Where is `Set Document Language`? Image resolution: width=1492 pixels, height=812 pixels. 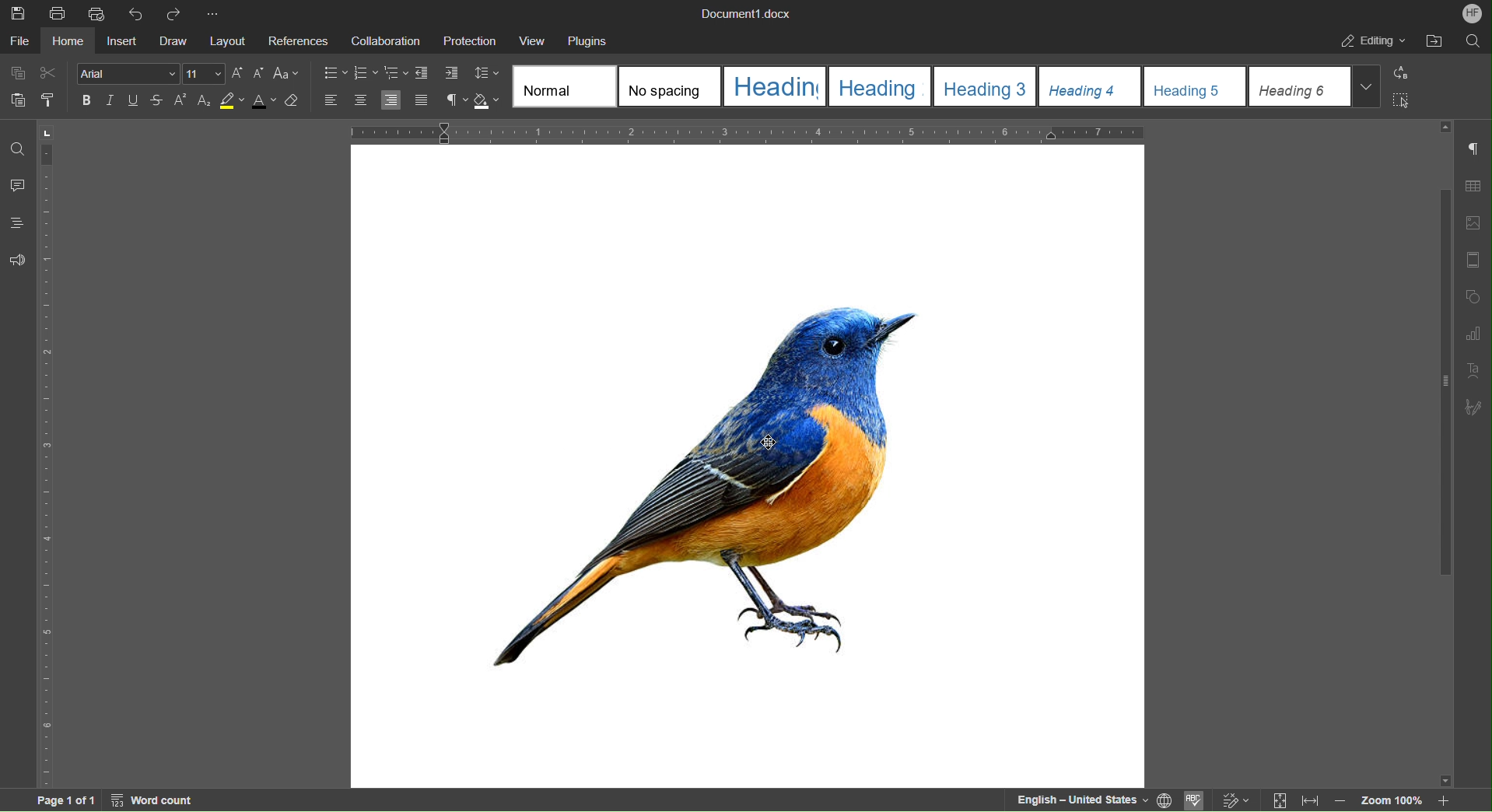
Set Document Language is located at coordinates (1166, 799).